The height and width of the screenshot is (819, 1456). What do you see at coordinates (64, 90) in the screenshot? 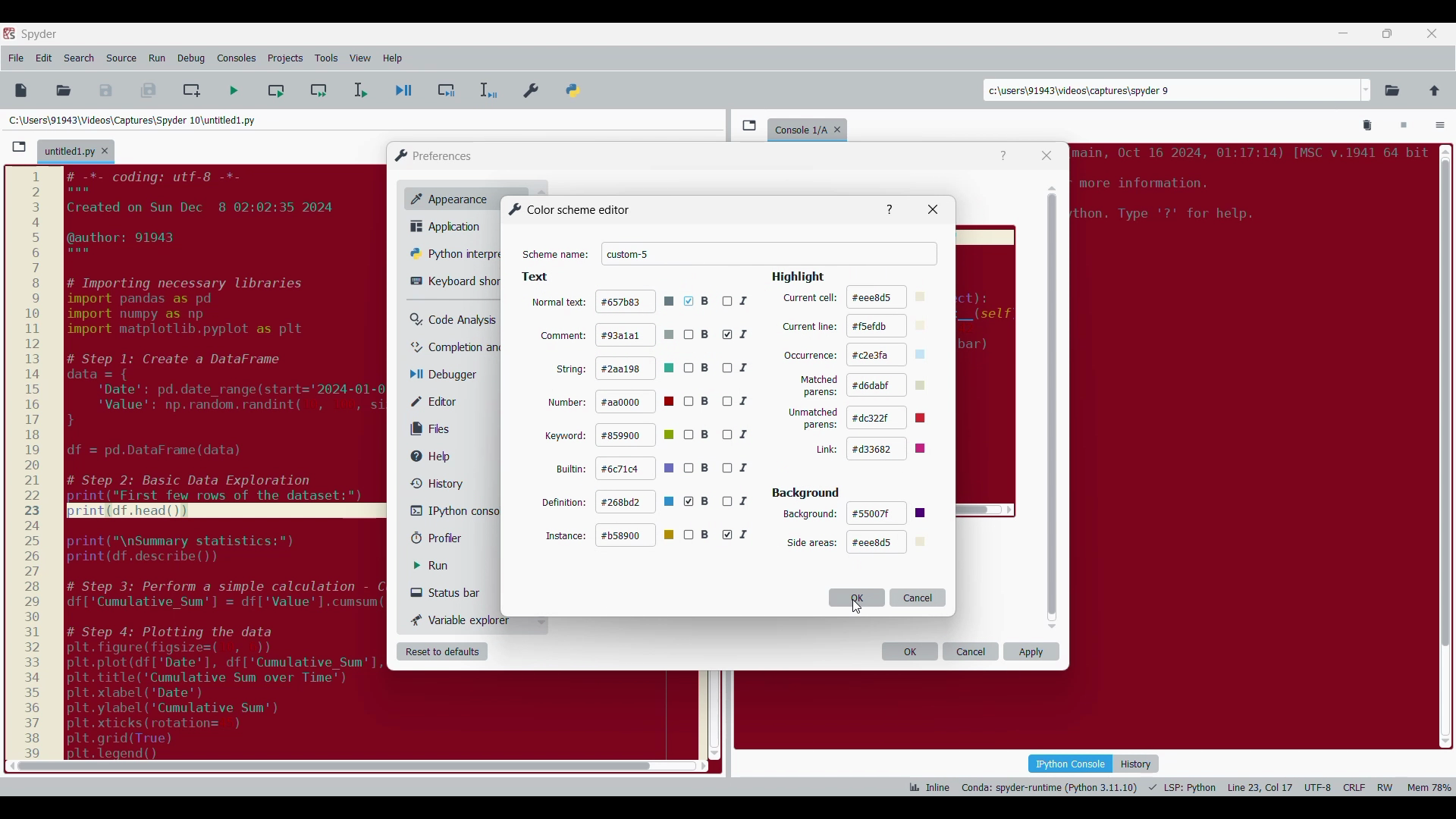
I see `Open` at bounding box center [64, 90].